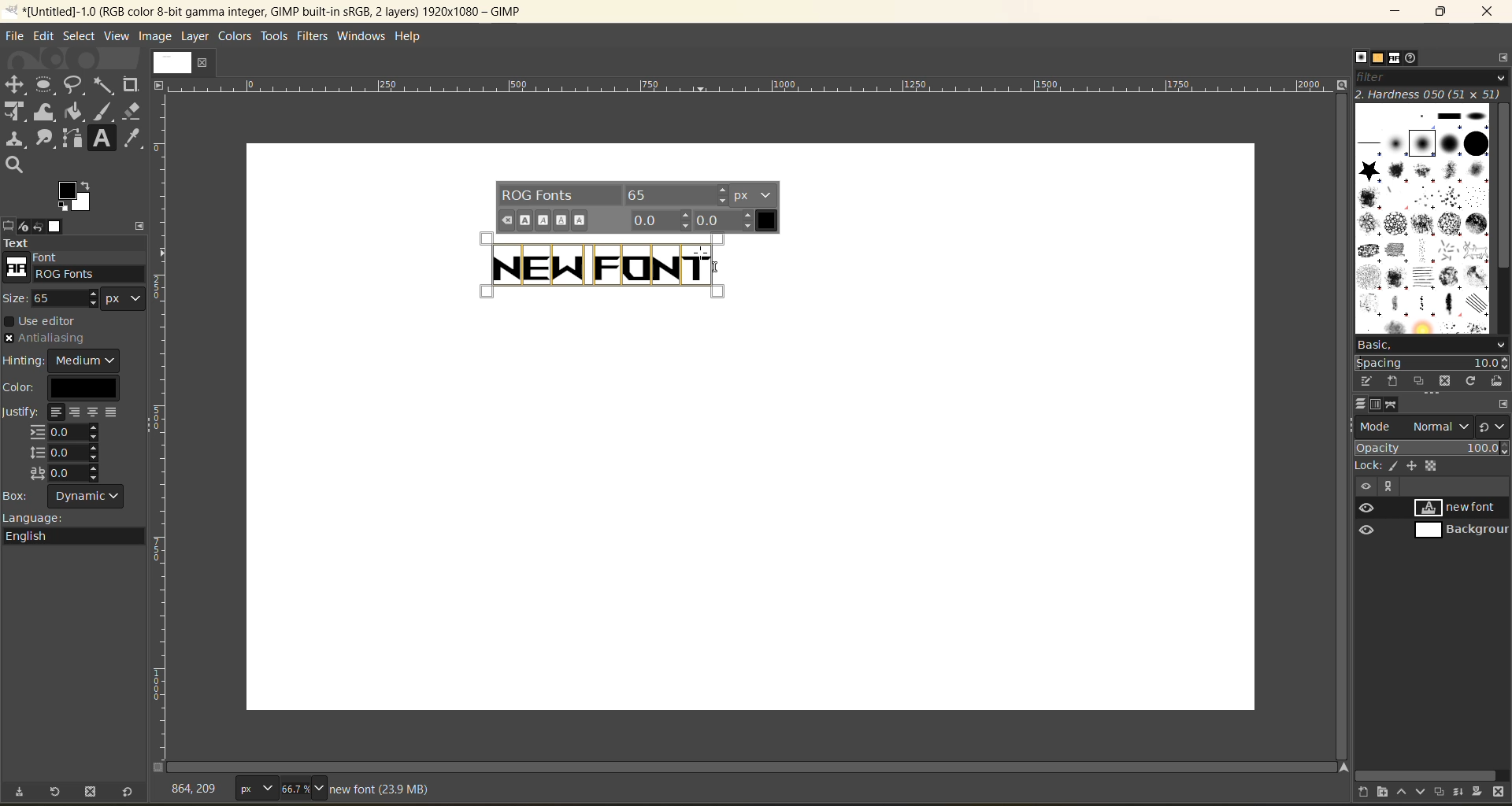 The image size is (1512, 806). What do you see at coordinates (9, 226) in the screenshot?
I see `tool options` at bounding box center [9, 226].